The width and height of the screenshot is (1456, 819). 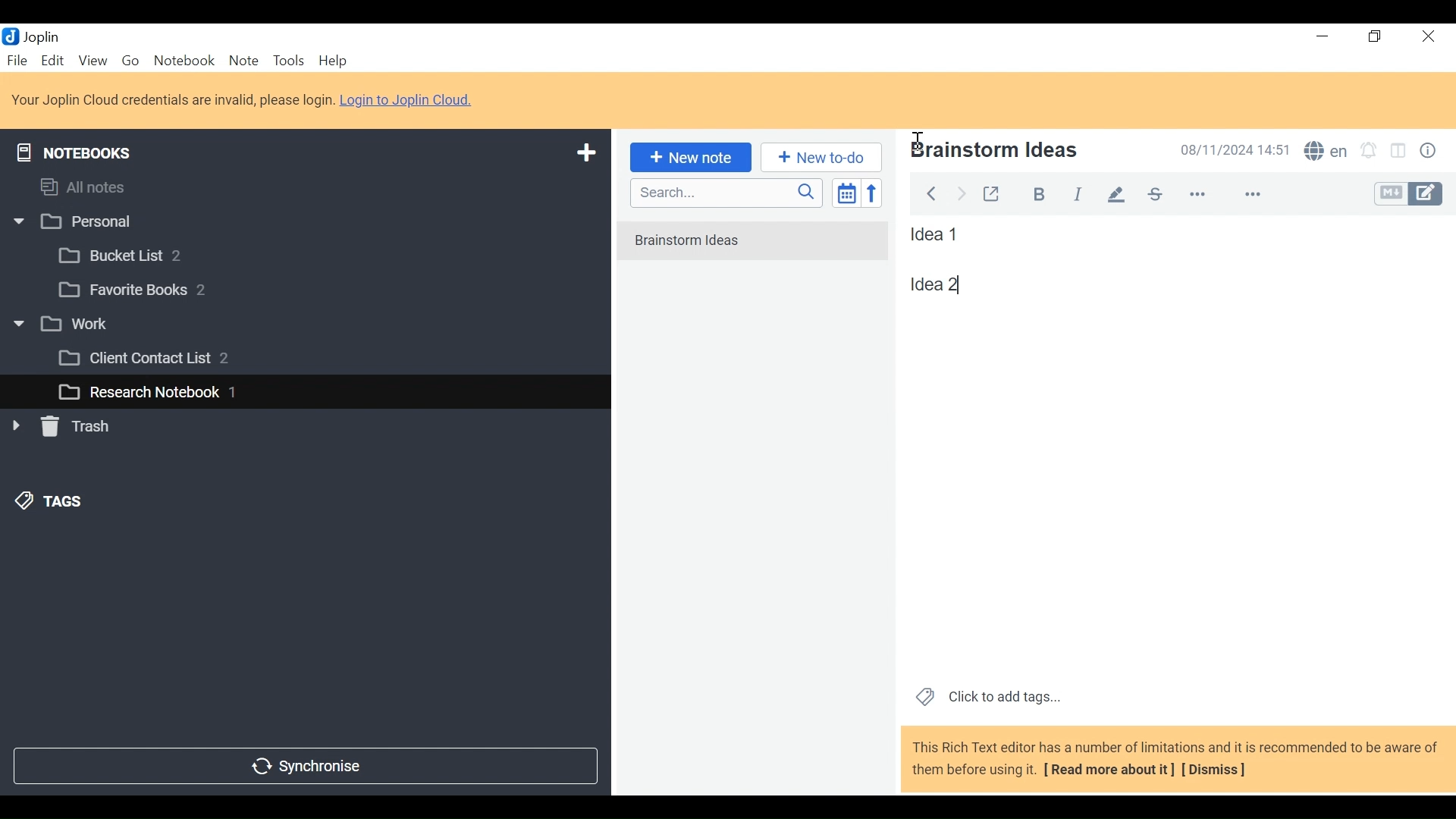 What do you see at coordinates (66, 503) in the screenshot?
I see `&) TAGS` at bounding box center [66, 503].